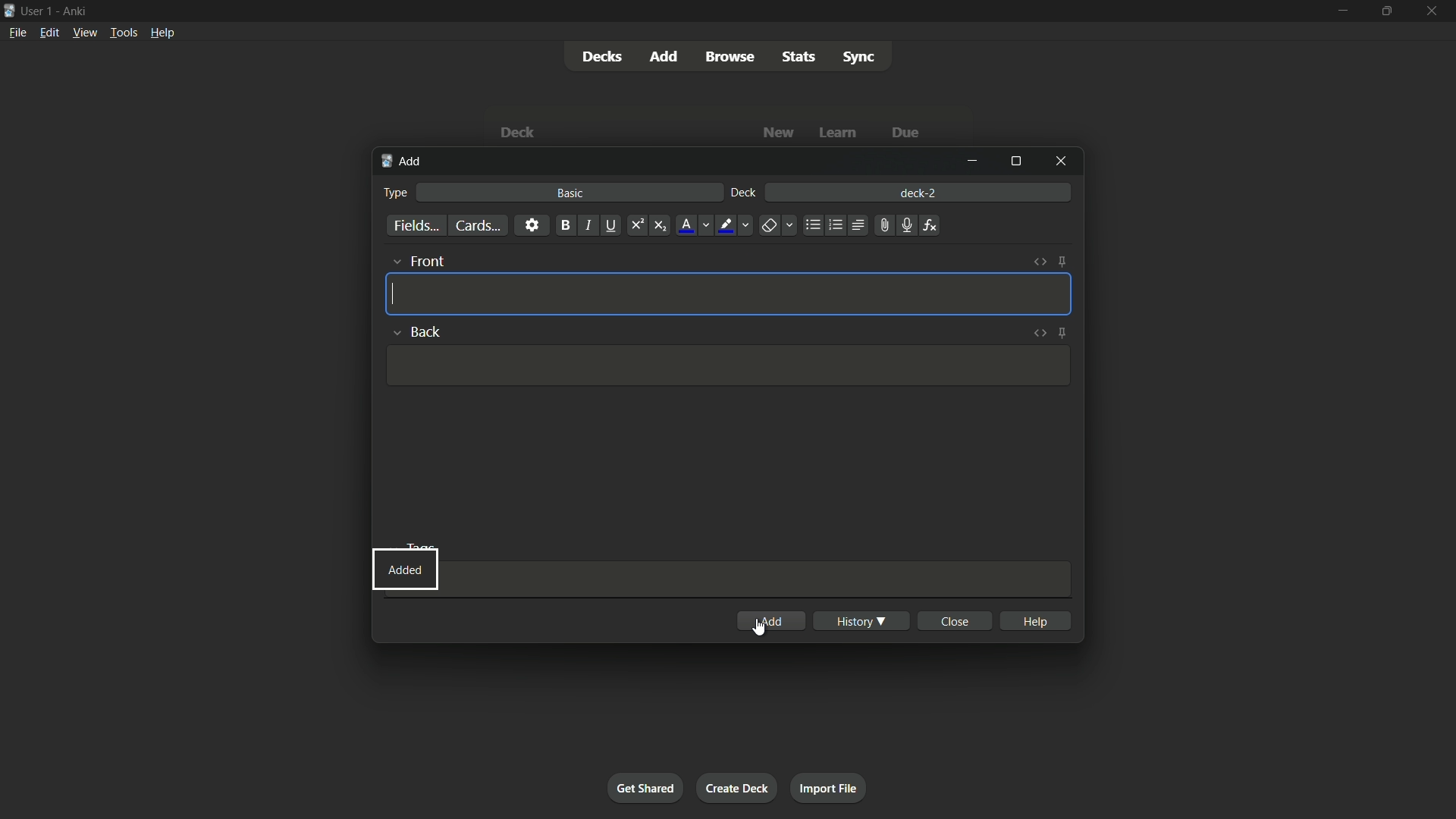 The width and height of the screenshot is (1456, 819). I want to click on bold, so click(564, 225).